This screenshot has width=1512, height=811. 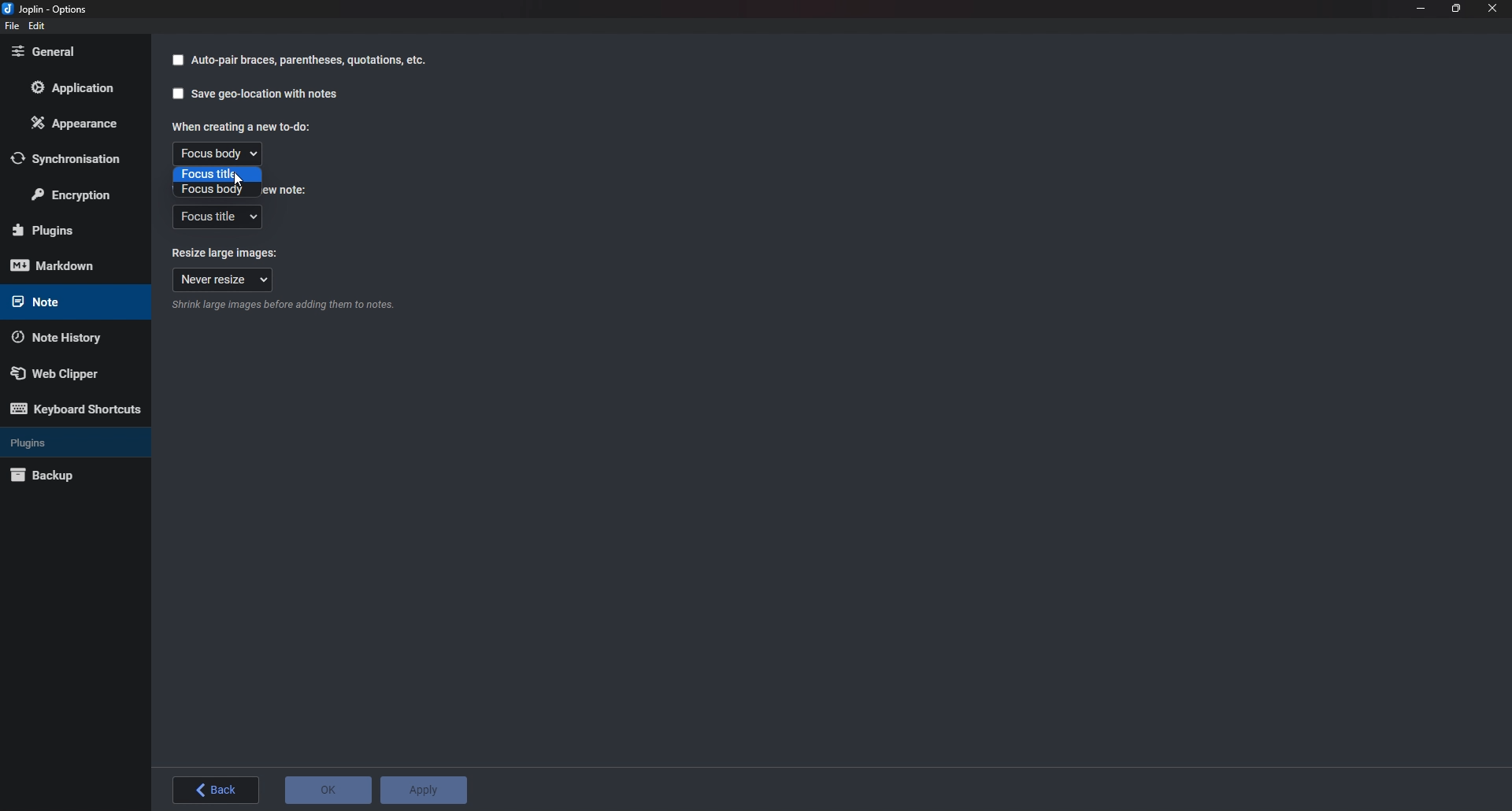 What do you see at coordinates (69, 266) in the screenshot?
I see `mark down` at bounding box center [69, 266].